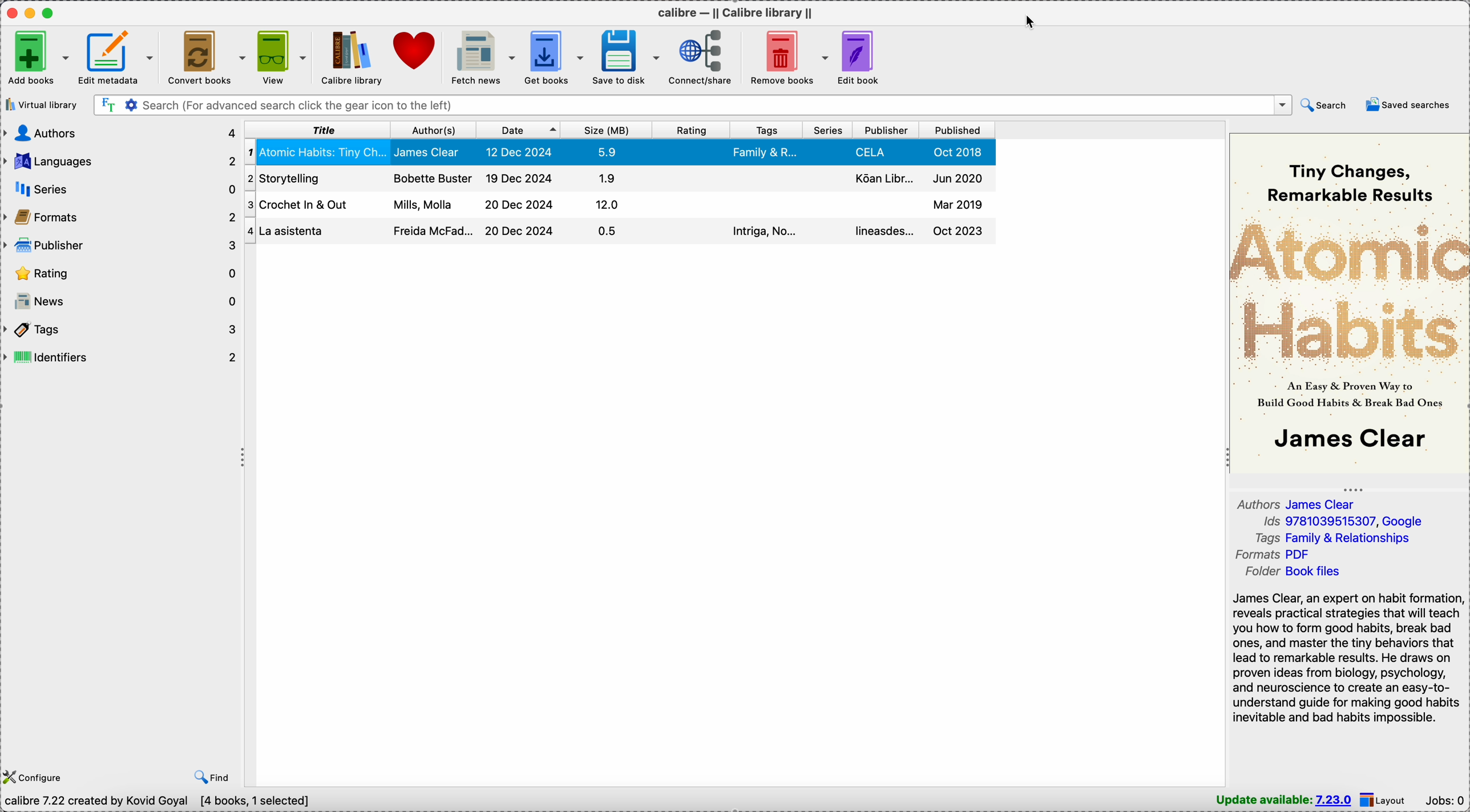 This screenshot has width=1470, height=812. What do you see at coordinates (620, 152) in the screenshot?
I see `Atomic Habits: Tiny Changes book selected` at bounding box center [620, 152].